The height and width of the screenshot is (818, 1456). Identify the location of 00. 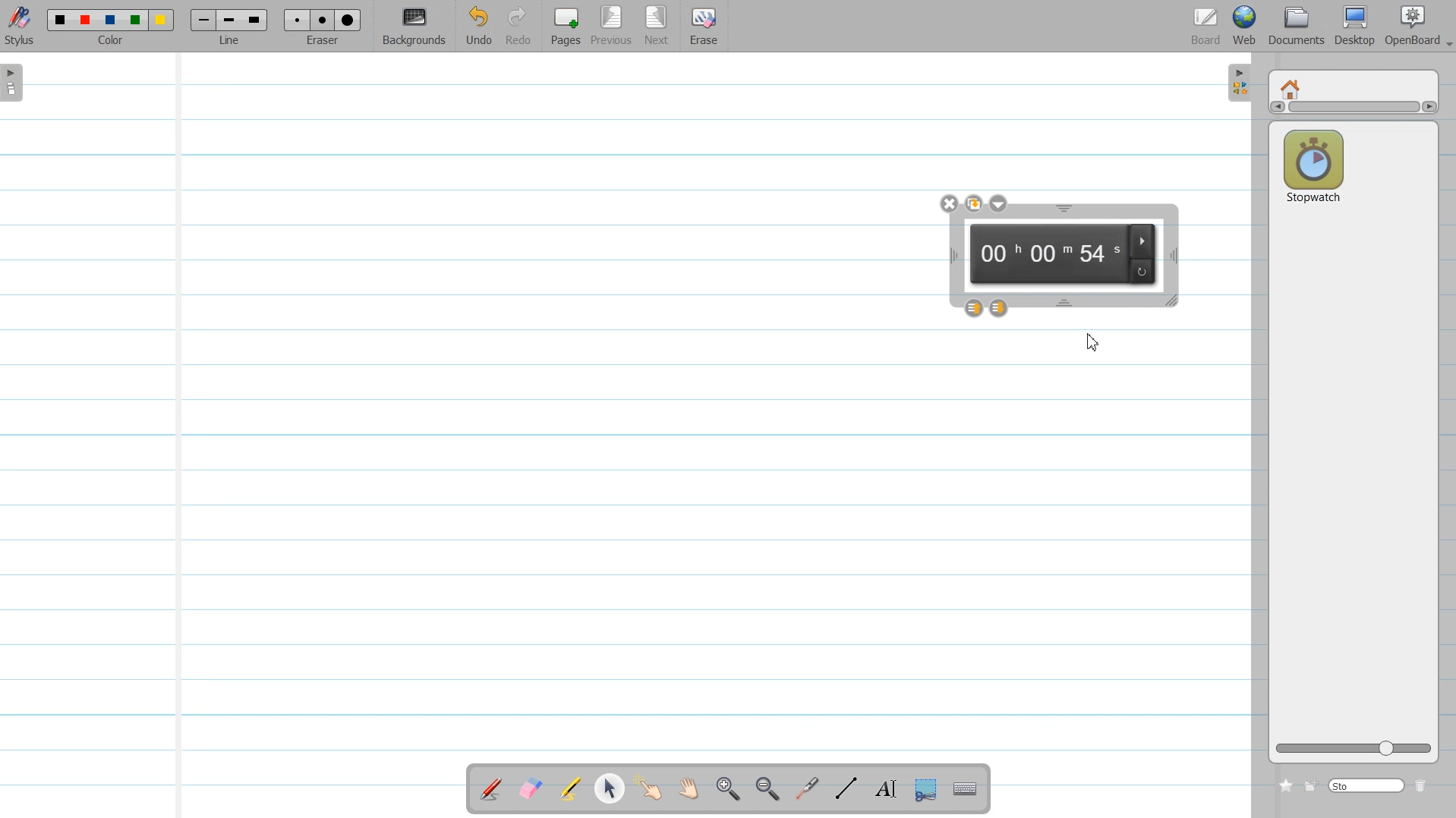
(997, 254).